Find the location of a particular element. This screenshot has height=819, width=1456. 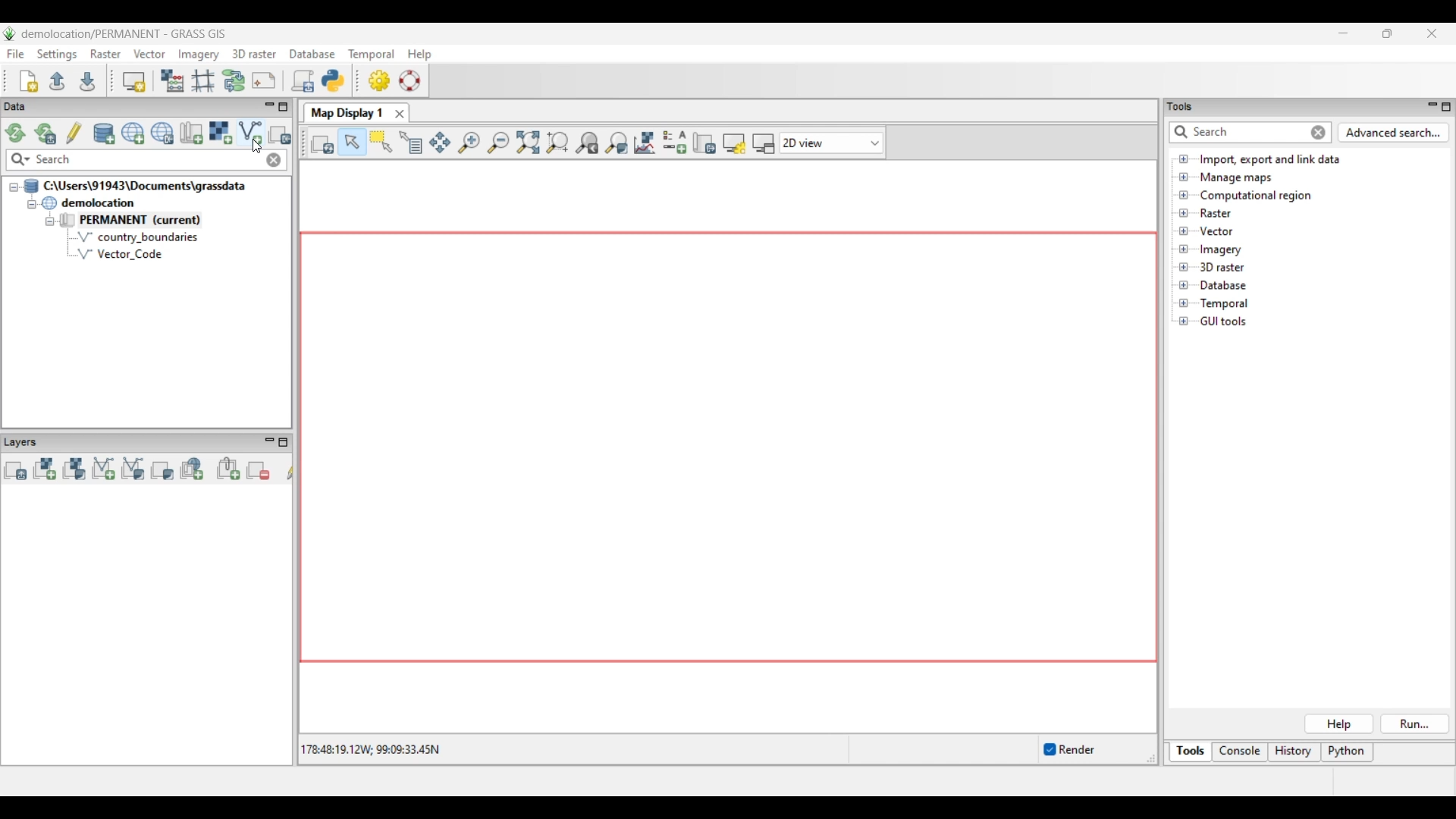

Vector Code is located at coordinates (128, 253).